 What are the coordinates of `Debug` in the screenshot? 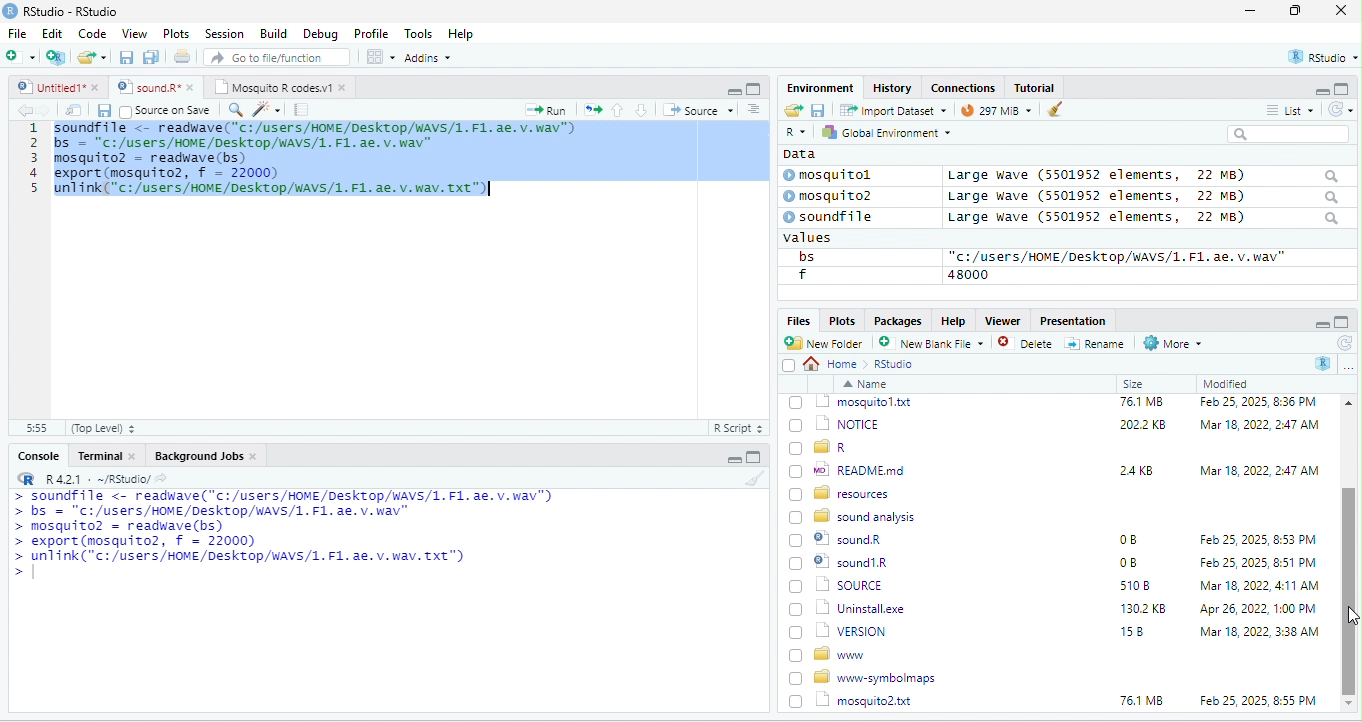 It's located at (320, 33).